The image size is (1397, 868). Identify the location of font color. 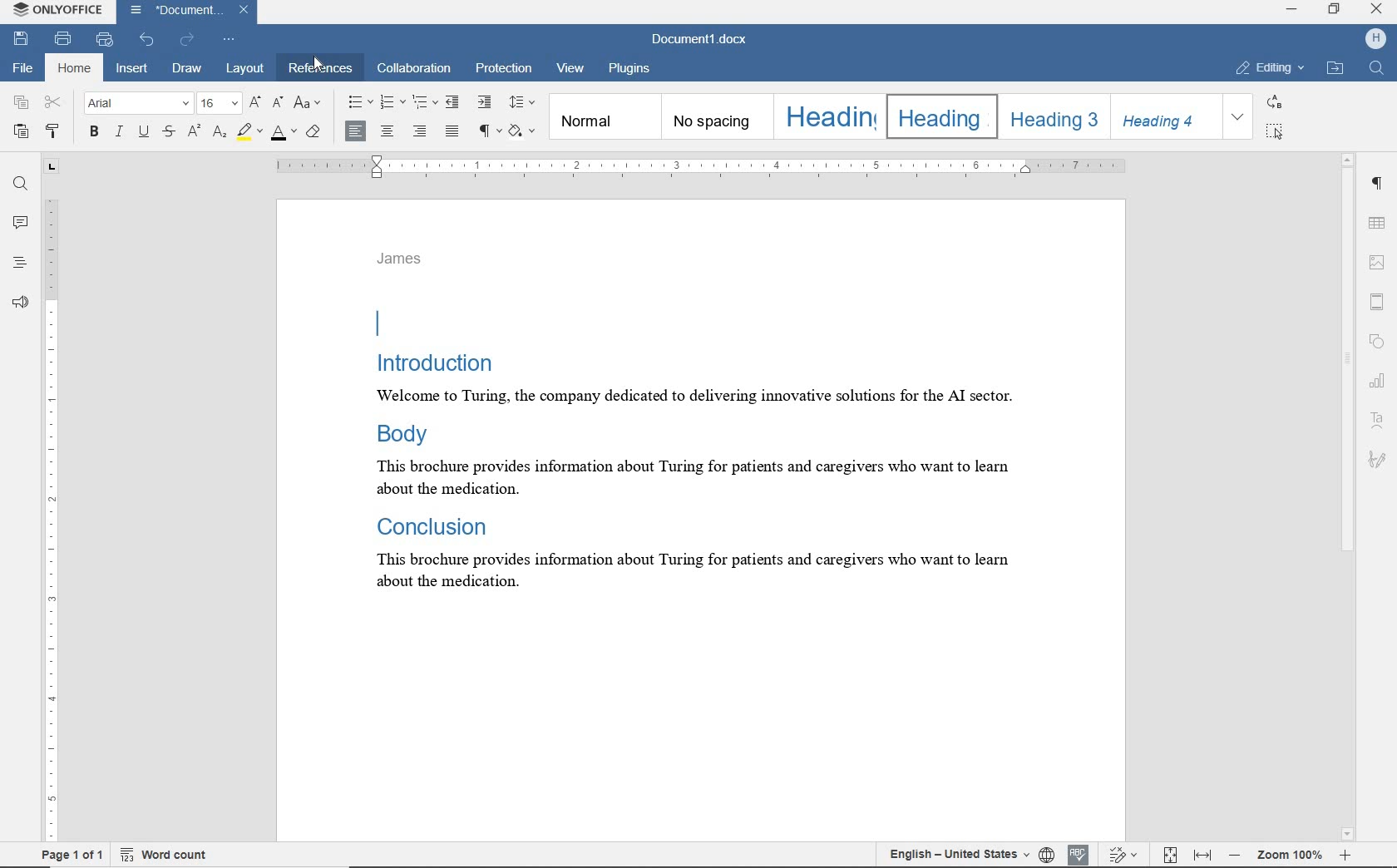
(285, 133).